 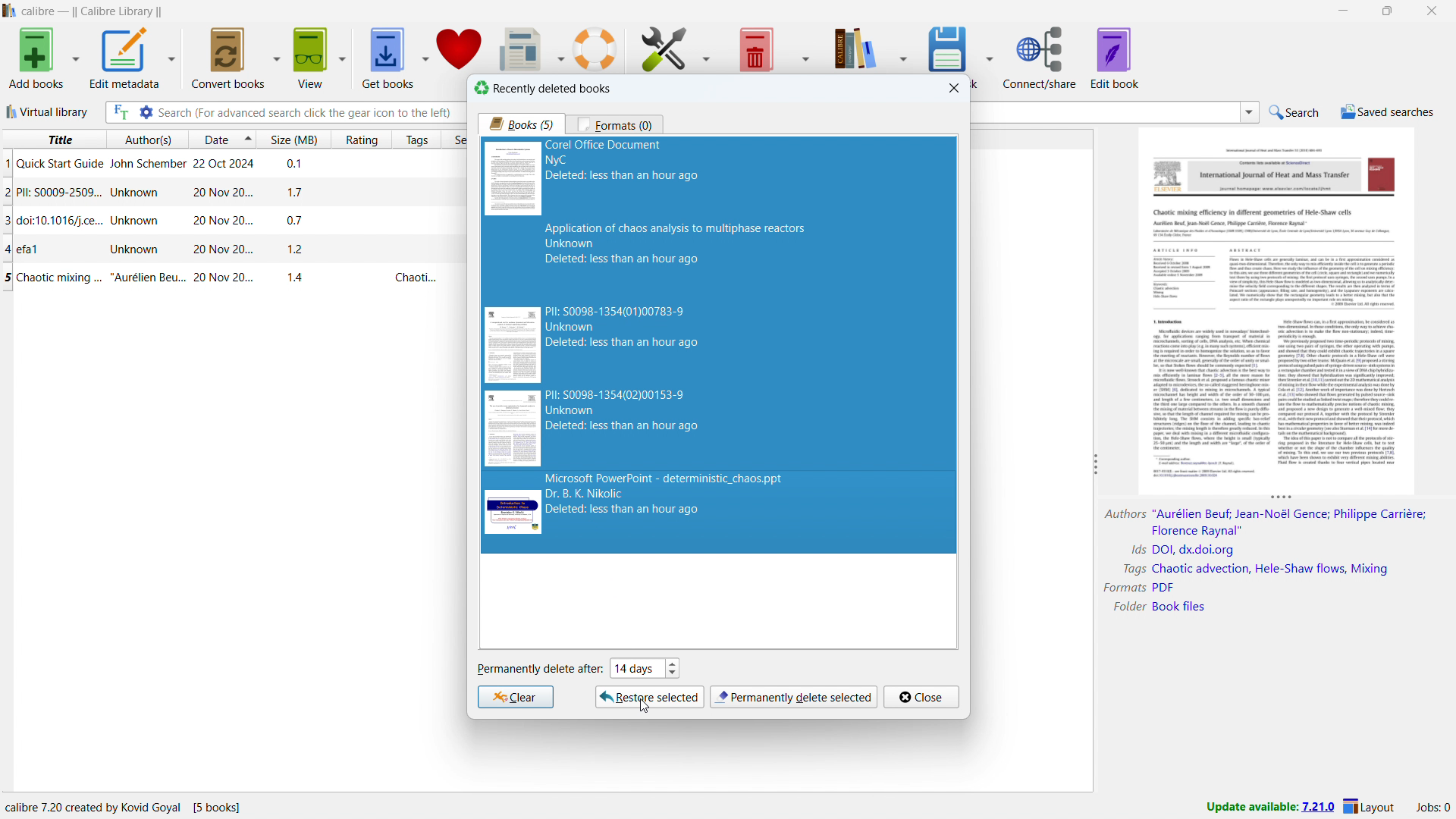 What do you see at coordinates (1387, 111) in the screenshot?
I see `saved searches menu` at bounding box center [1387, 111].